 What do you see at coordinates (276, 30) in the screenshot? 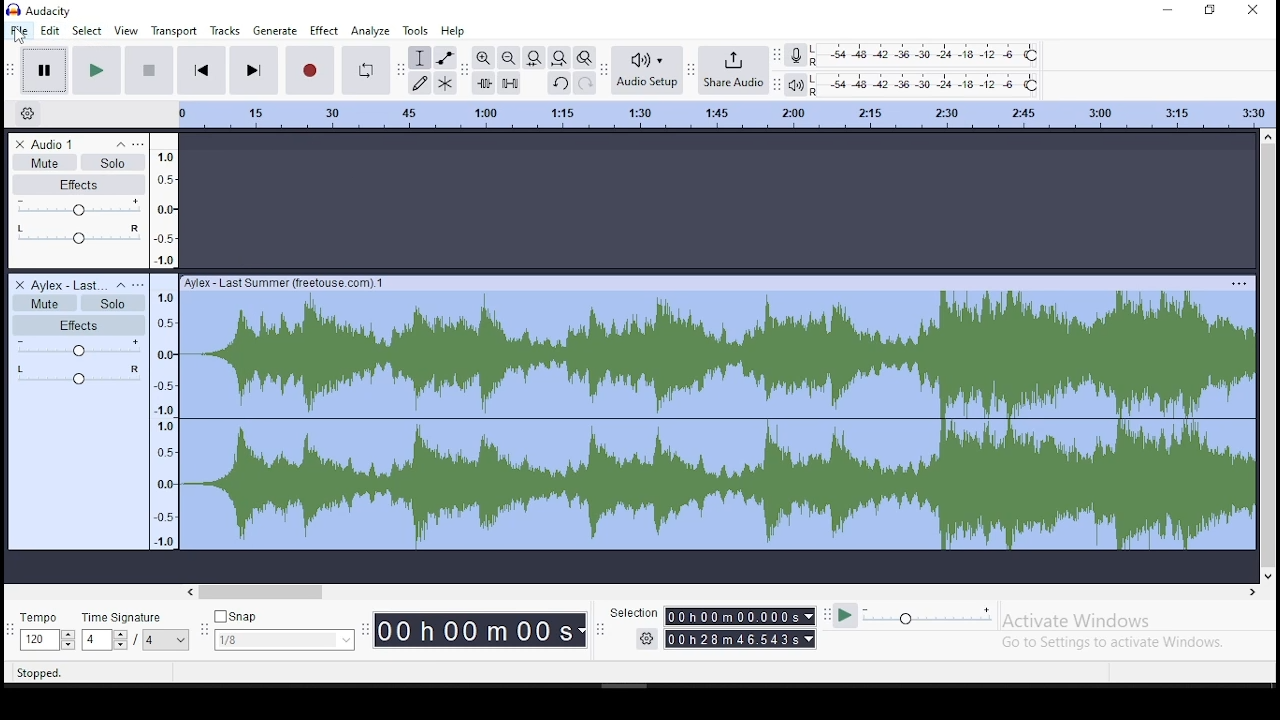
I see `generate` at bounding box center [276, 30].